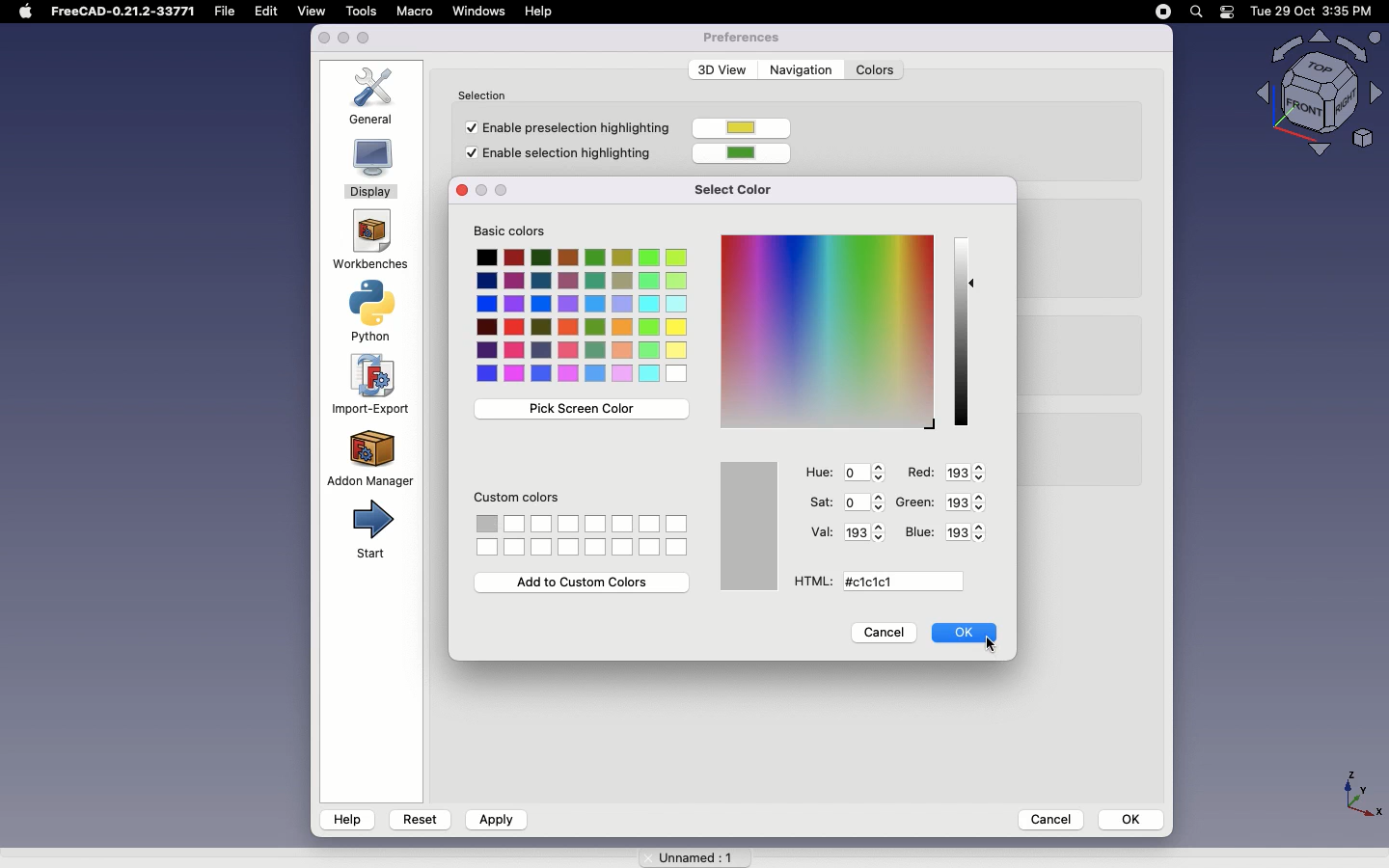 The height and width of the screenshot is (868, 1389). I want to click on Pick screen color, so click(578, 410).